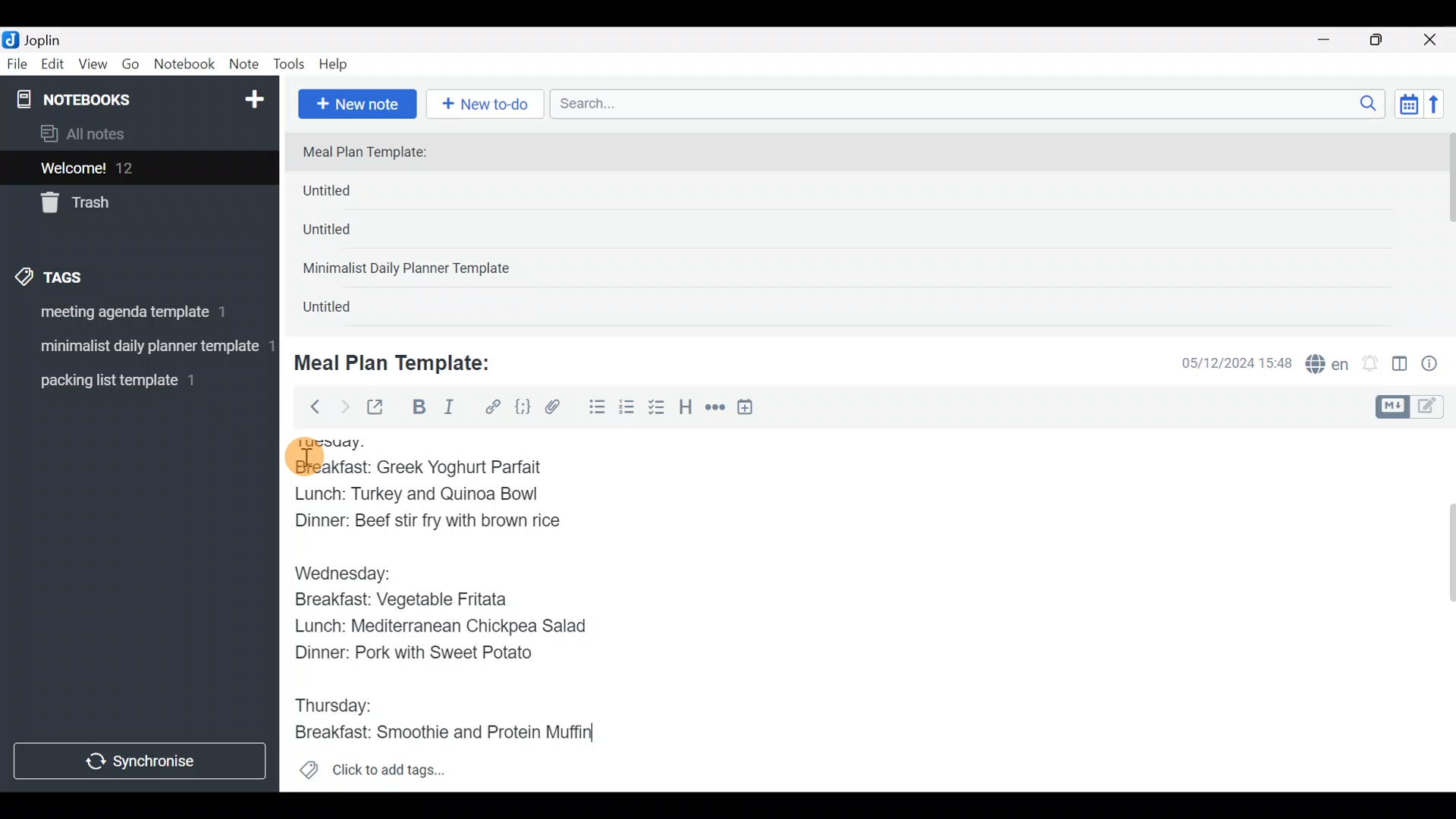  I want to click on Notebook, so click(185, 64).